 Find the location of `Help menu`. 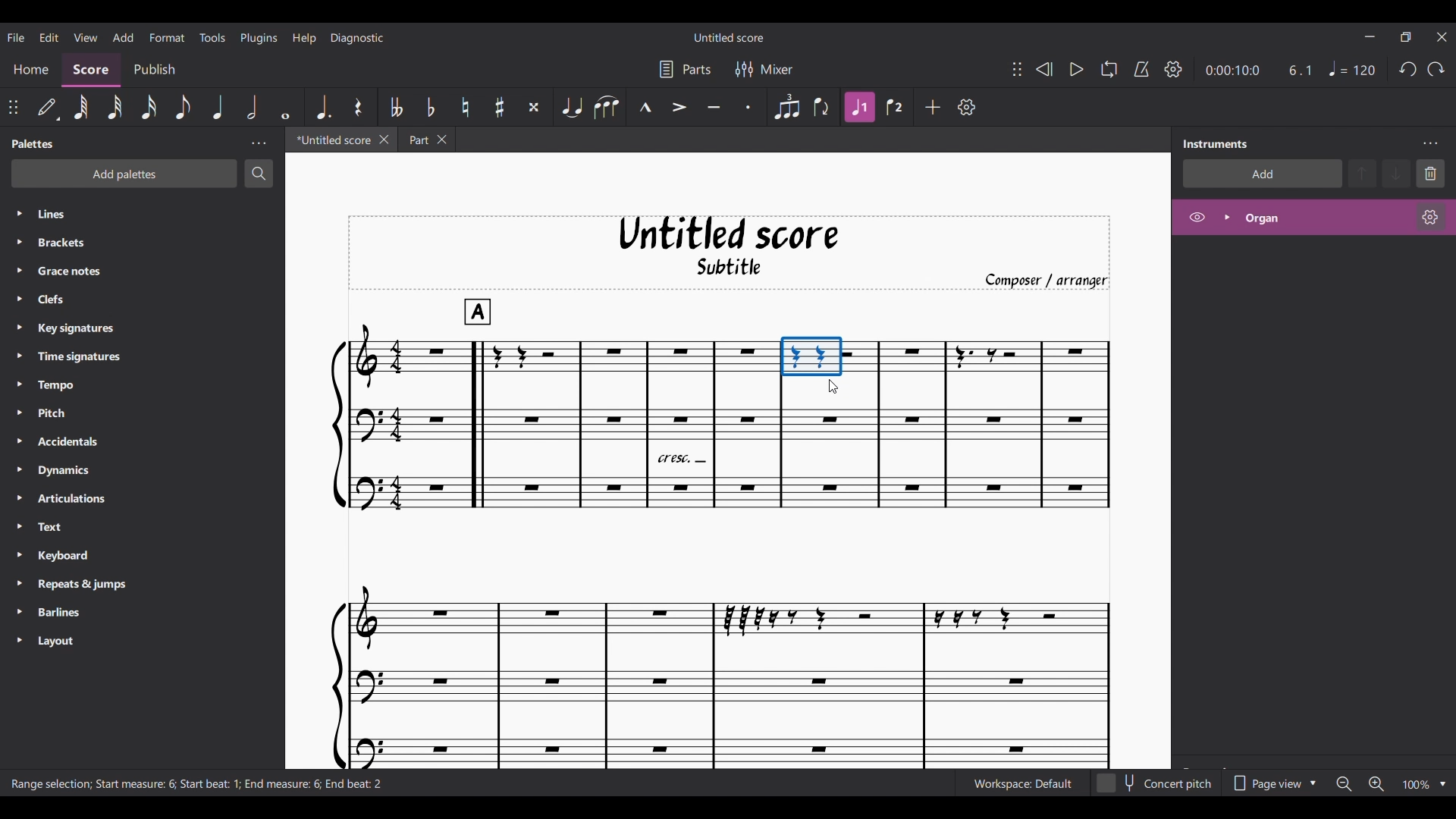

Help menu is located at coordinates (303, 38).